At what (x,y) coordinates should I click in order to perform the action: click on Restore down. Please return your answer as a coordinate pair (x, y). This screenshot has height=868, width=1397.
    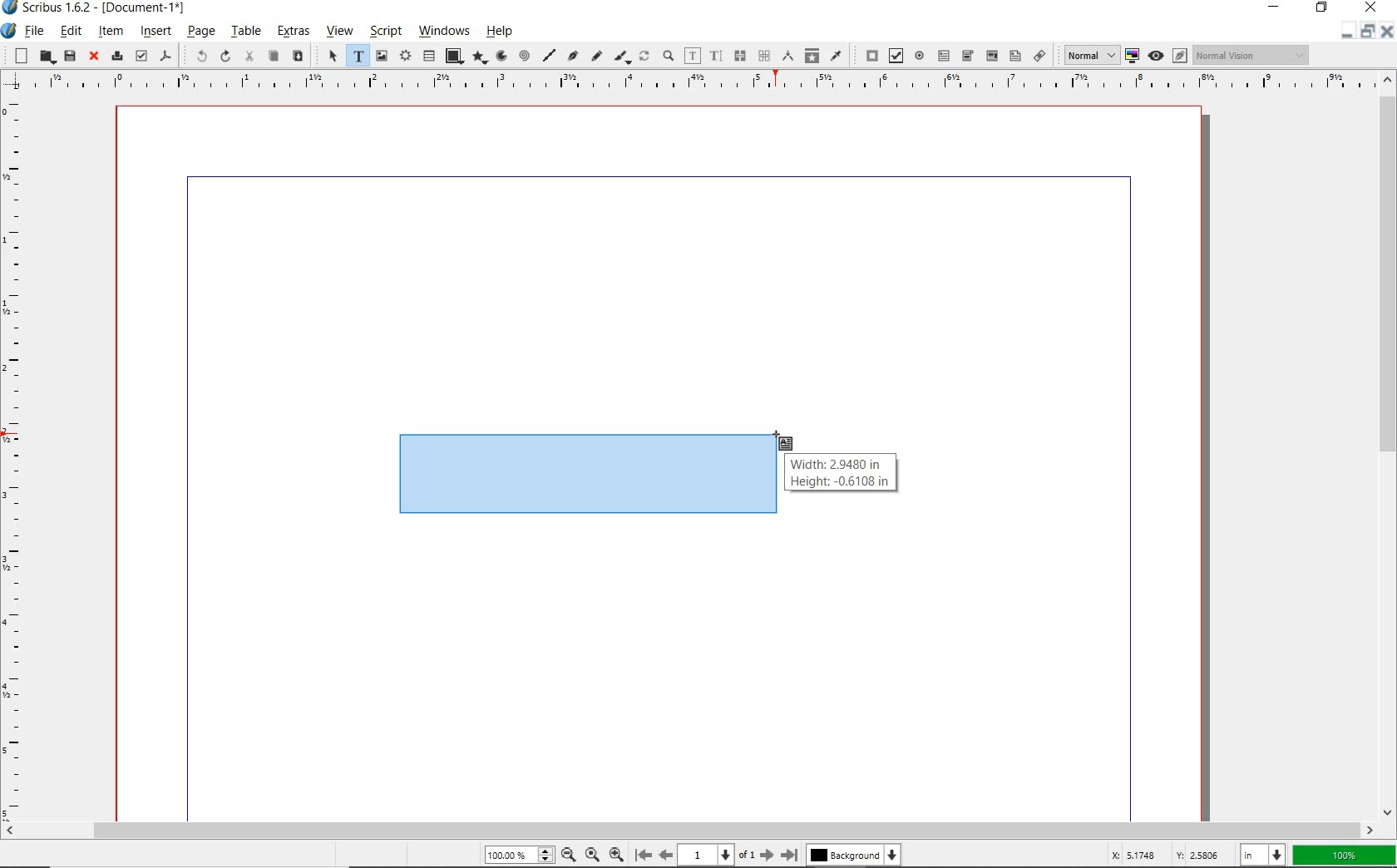
    Looking at the image, I should click on (1345, 32).